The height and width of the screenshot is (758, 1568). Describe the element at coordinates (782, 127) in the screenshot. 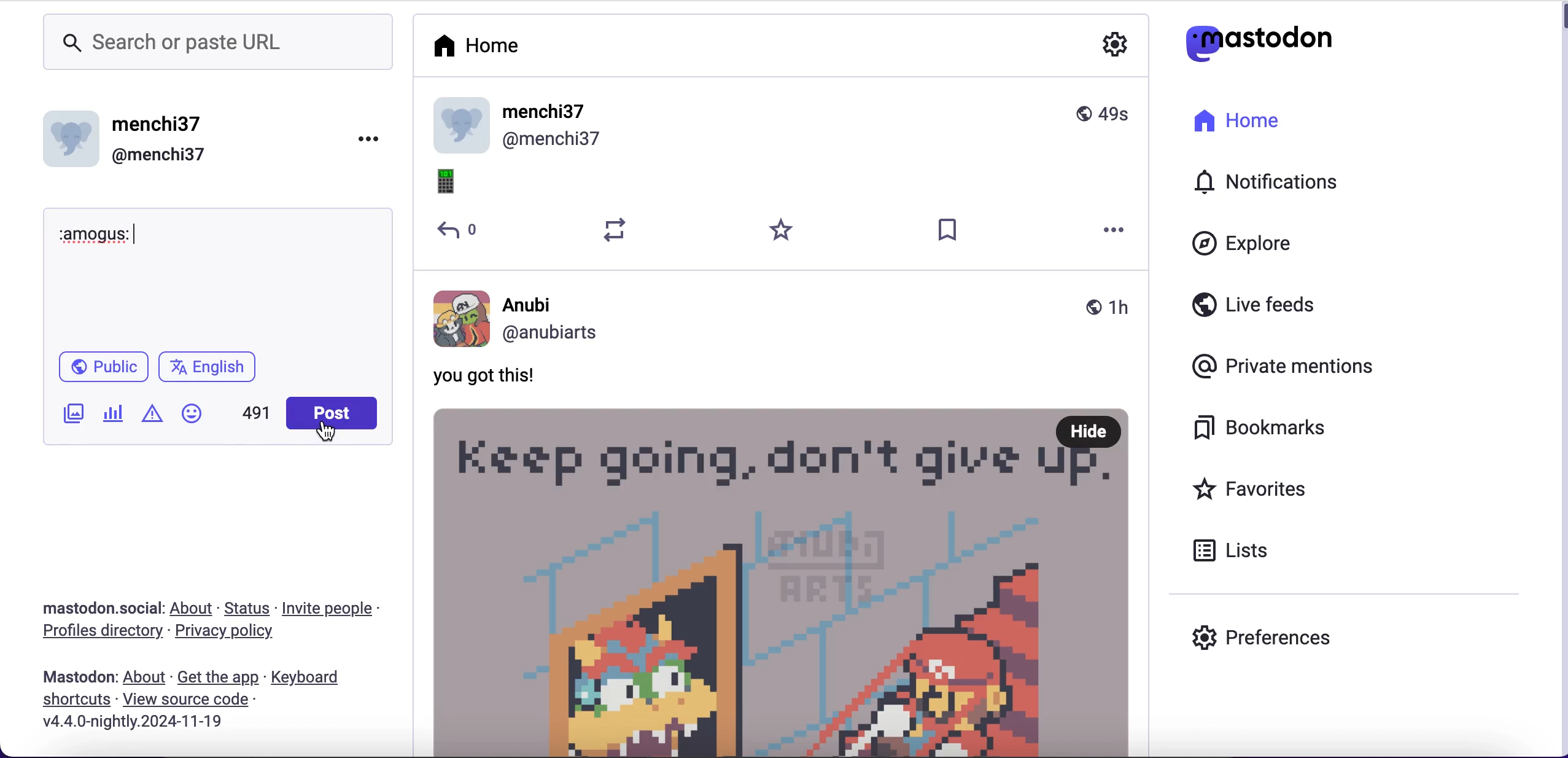

I see `user` at that location.